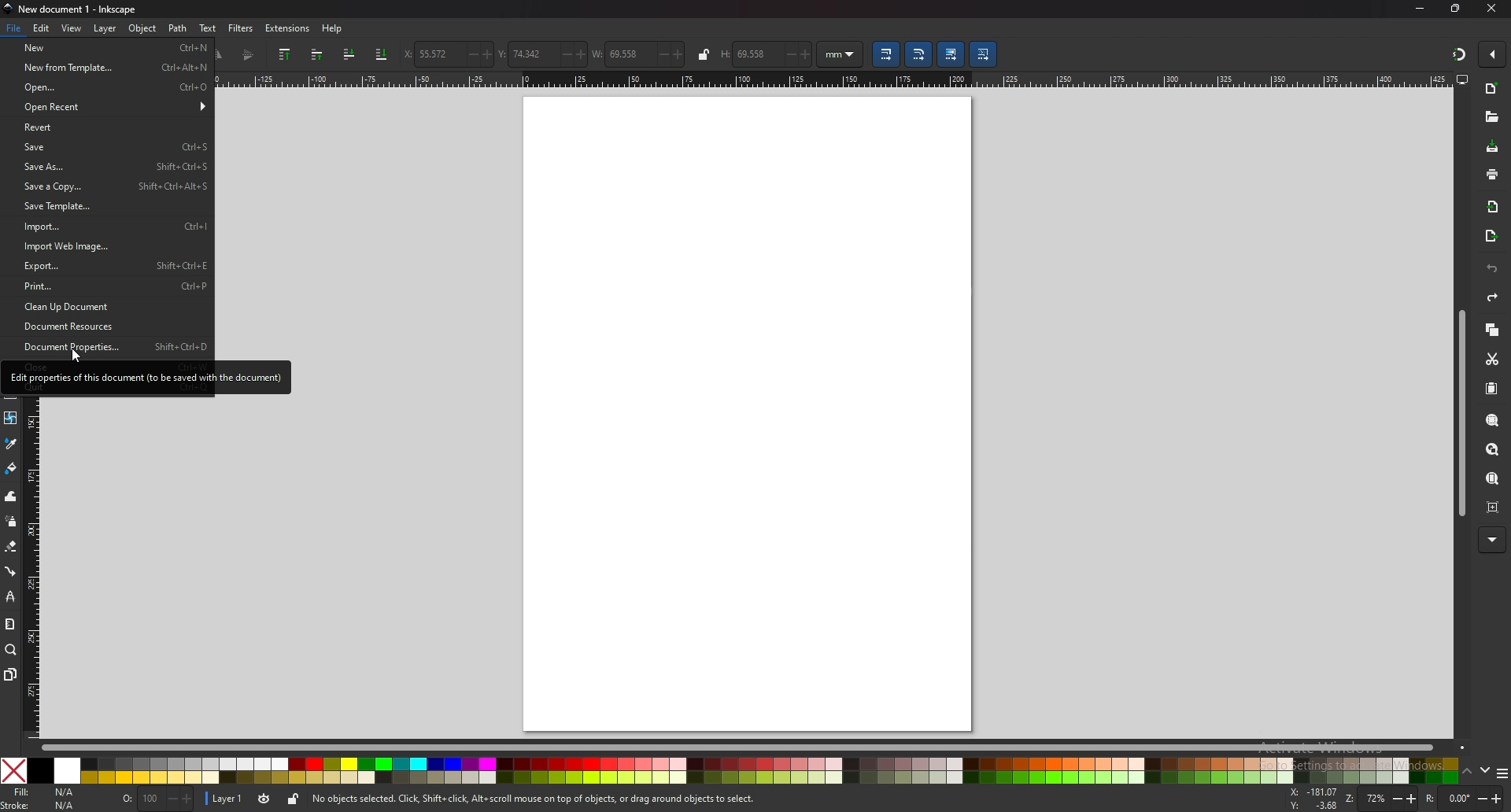 The image size is (1511, 812). I want to click on more colors, so click(1502, 770).